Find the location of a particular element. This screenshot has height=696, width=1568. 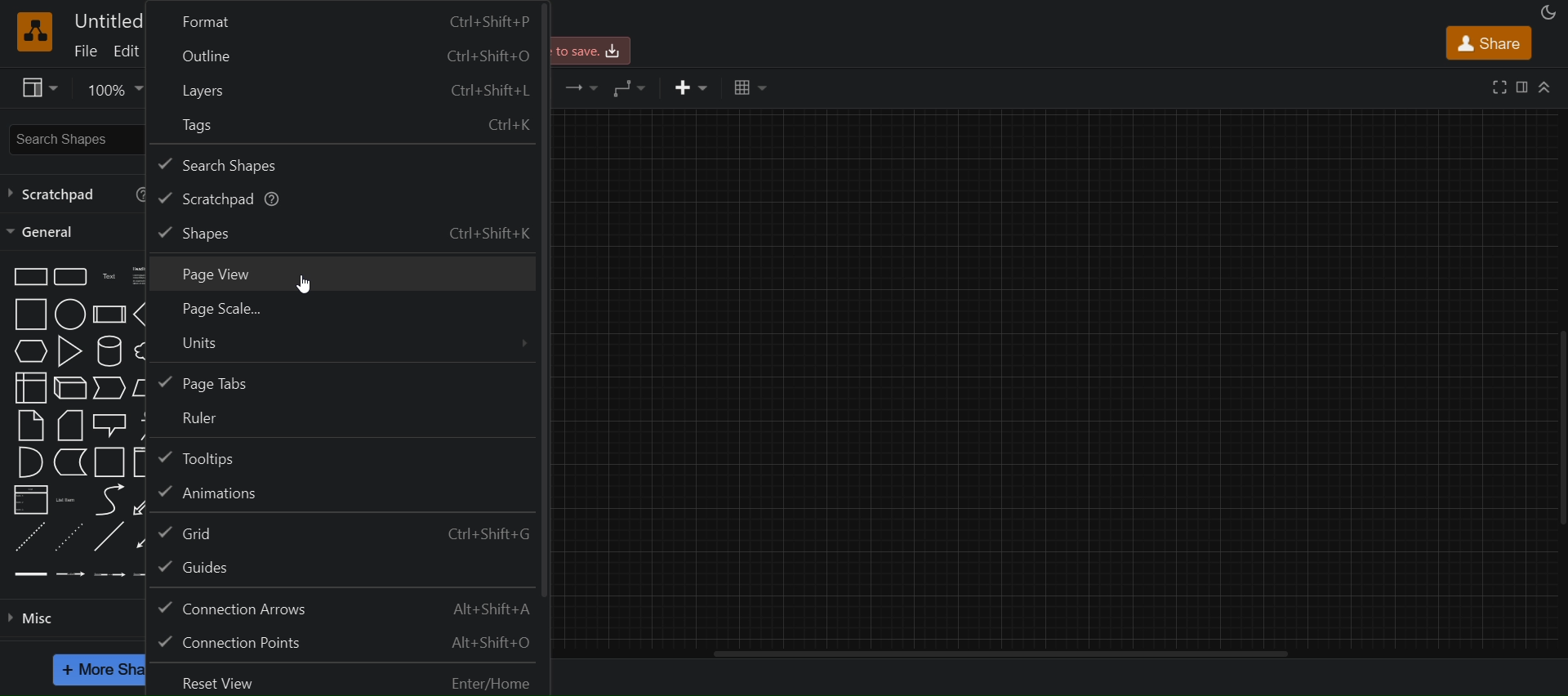

reset view is located at coordinates (348, 677).